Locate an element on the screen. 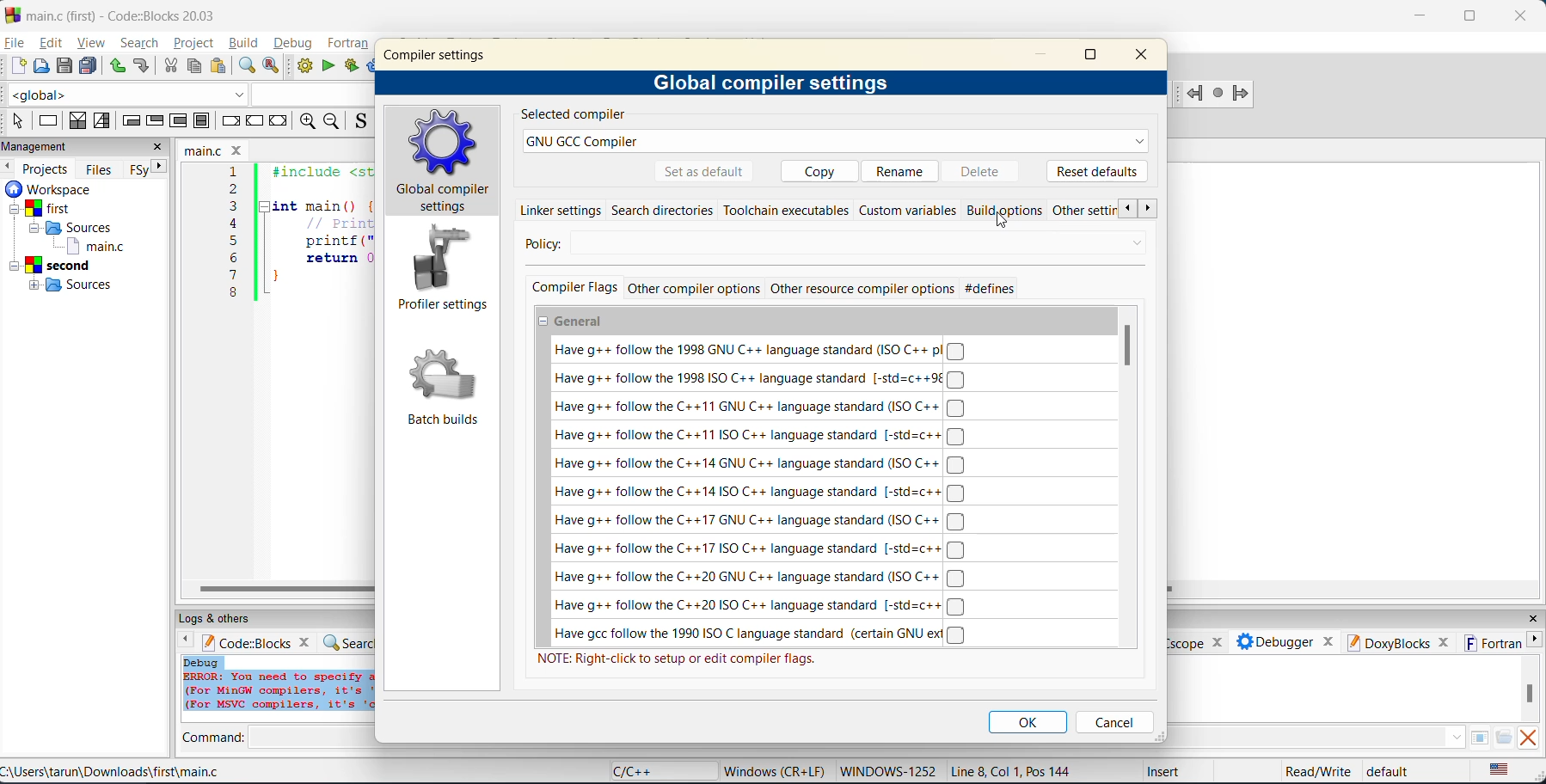 Image resolution: width=1546 pixels, height=784 pixels. custom variables is located at coordinates (908, 211).